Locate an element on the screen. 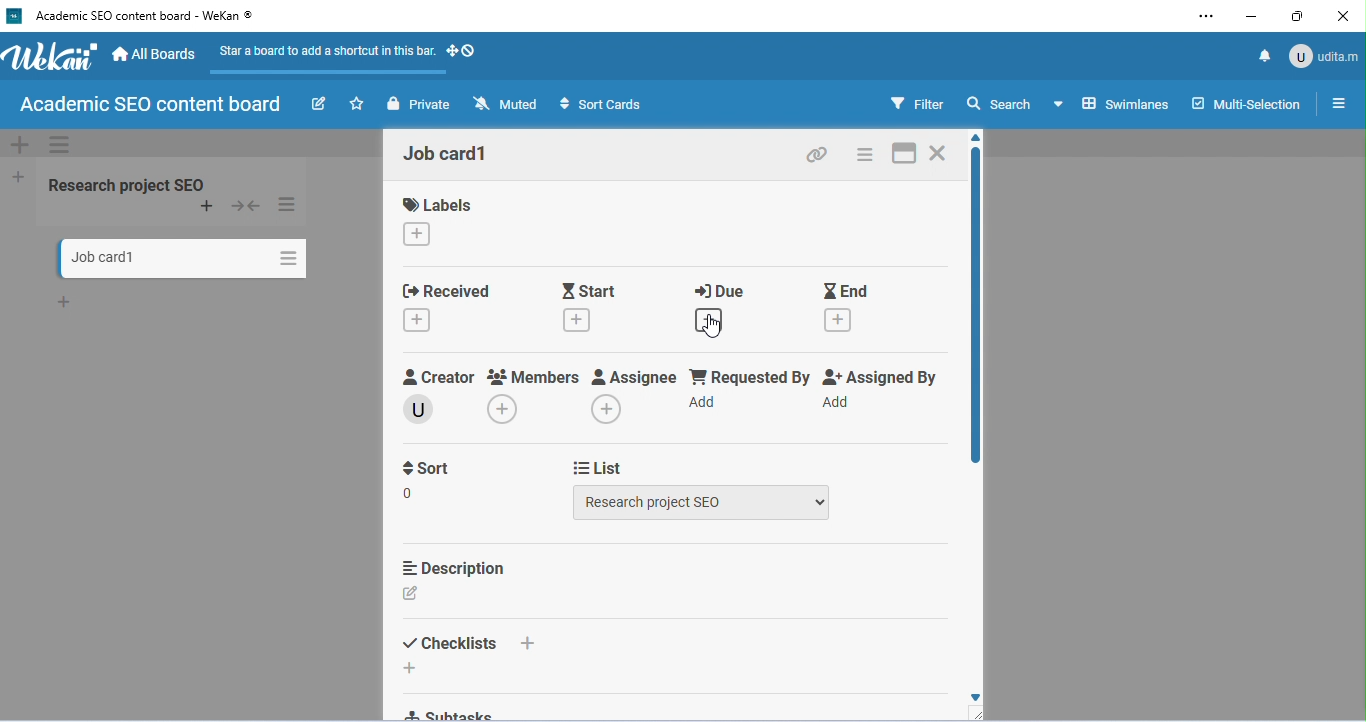 This screenshot has width=1366, height=722. add checklist to top  is located at coordinates (528, 643).